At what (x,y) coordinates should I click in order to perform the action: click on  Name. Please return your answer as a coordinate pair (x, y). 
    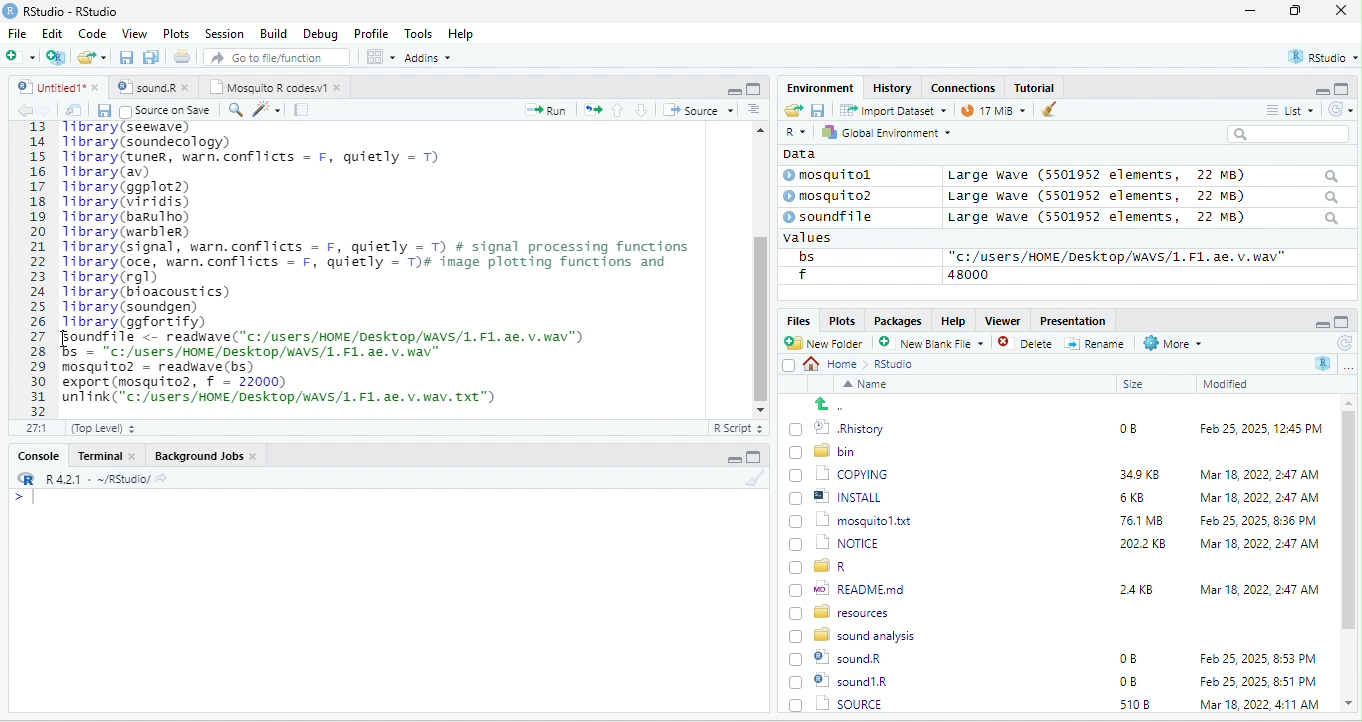
    Looking at the image, I should click on (869, 386).